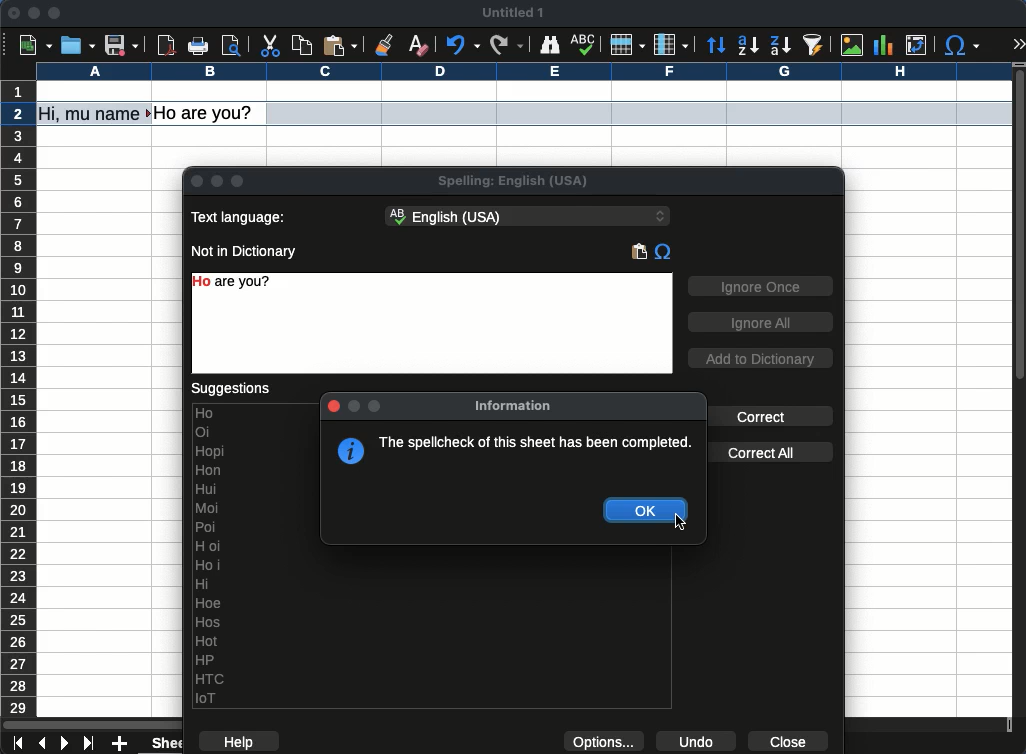 The width and height of the screenshot is (1026, 754). I want to click on undo, so click(466, 44).